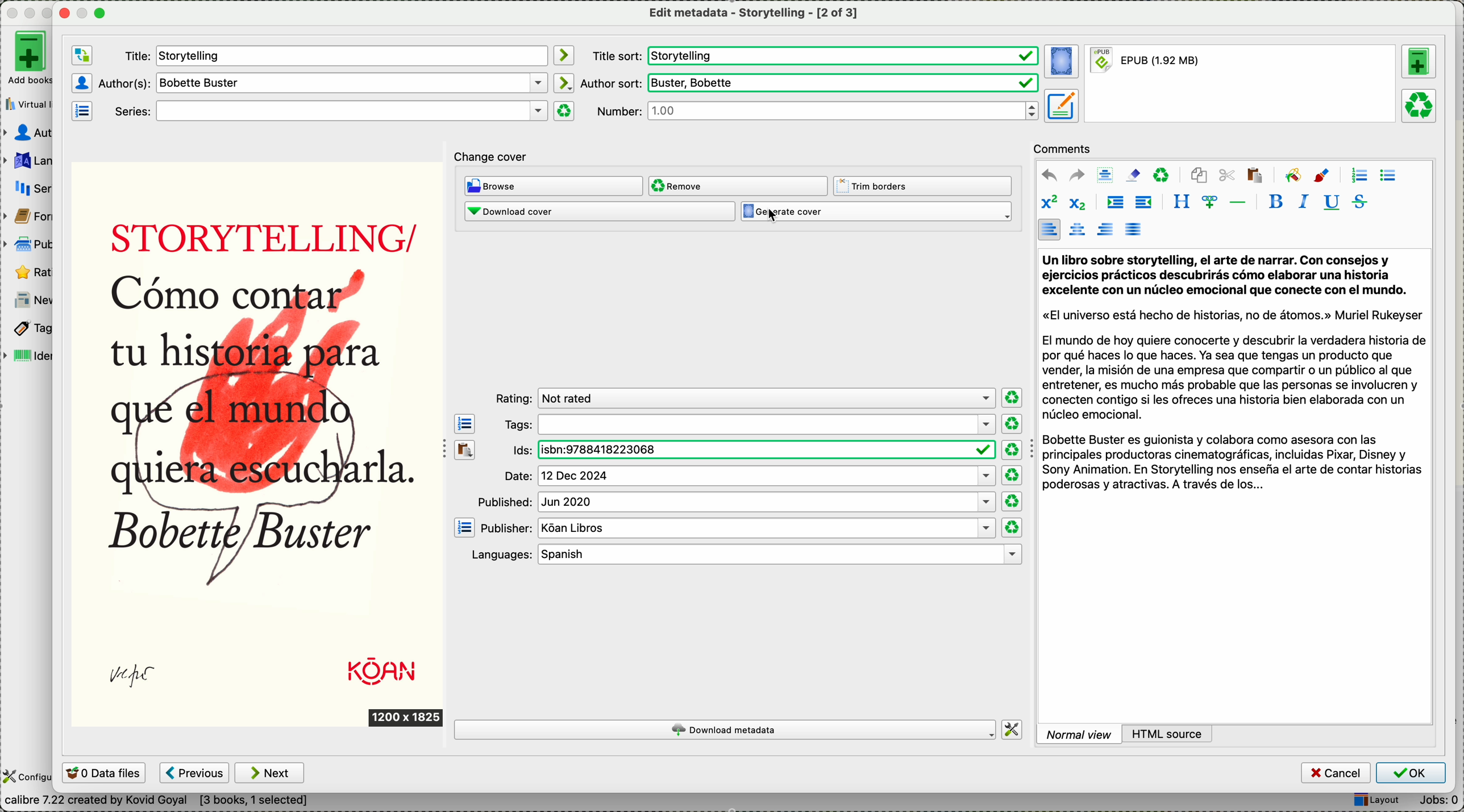 This screenshot has height=812, width=1464. Describe the element at coordinates (1047, 174) in the screenshot. I see `undo` at that location.